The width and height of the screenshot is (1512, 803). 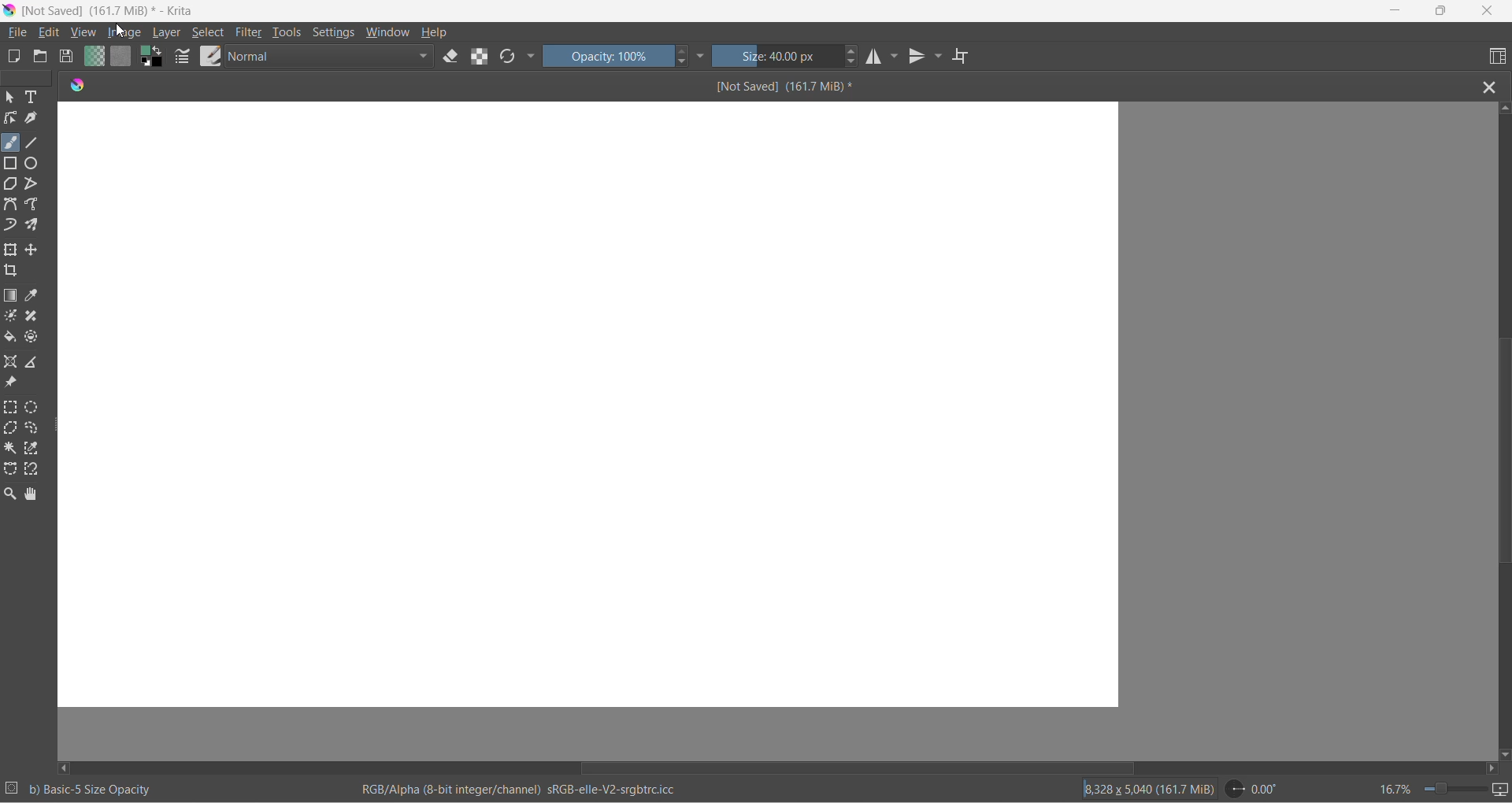 I want to click on draw a gradient, so click(x=13, y=297).